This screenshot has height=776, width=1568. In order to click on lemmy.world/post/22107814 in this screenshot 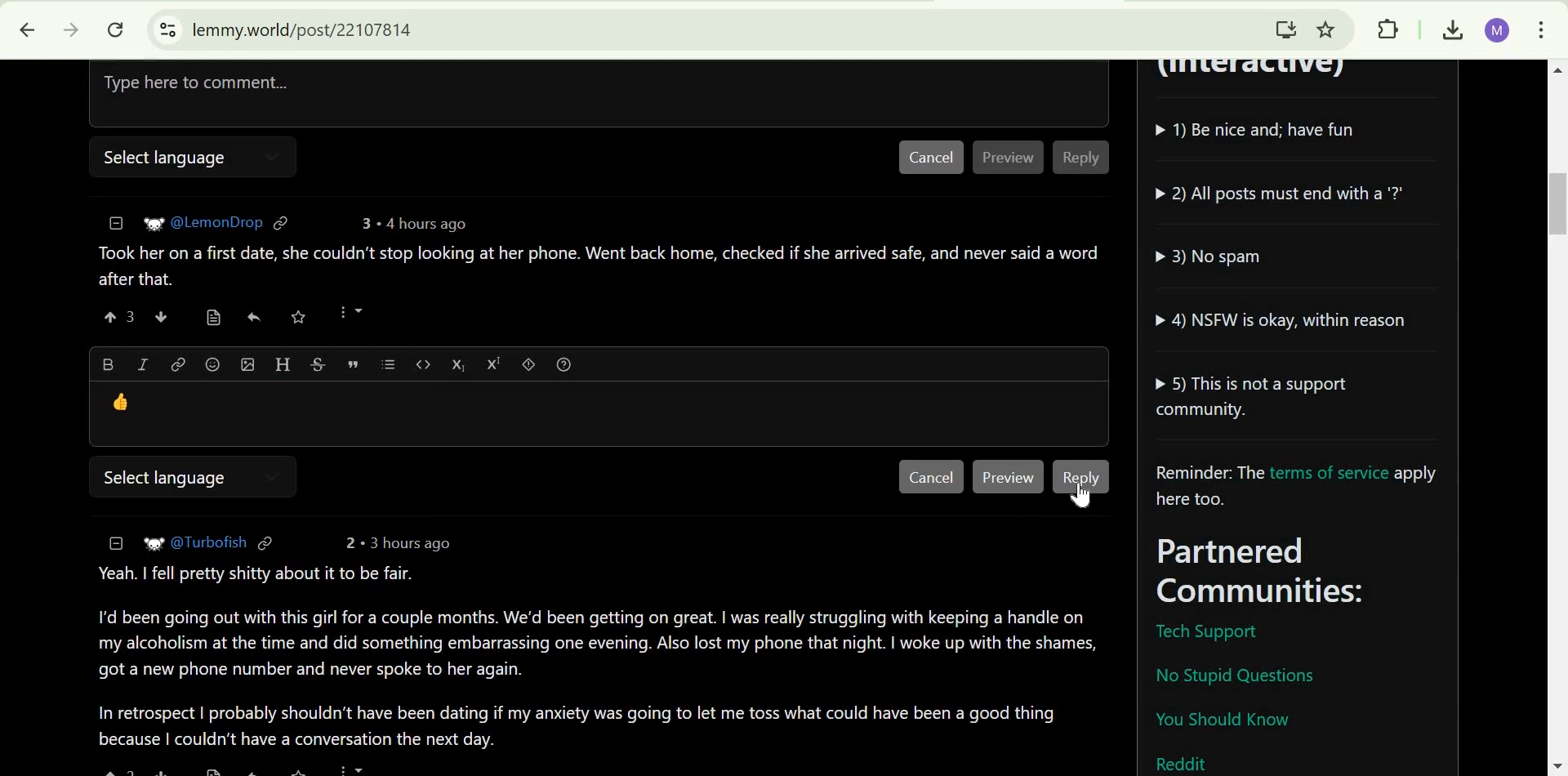, I will do `click(302, 29)`.